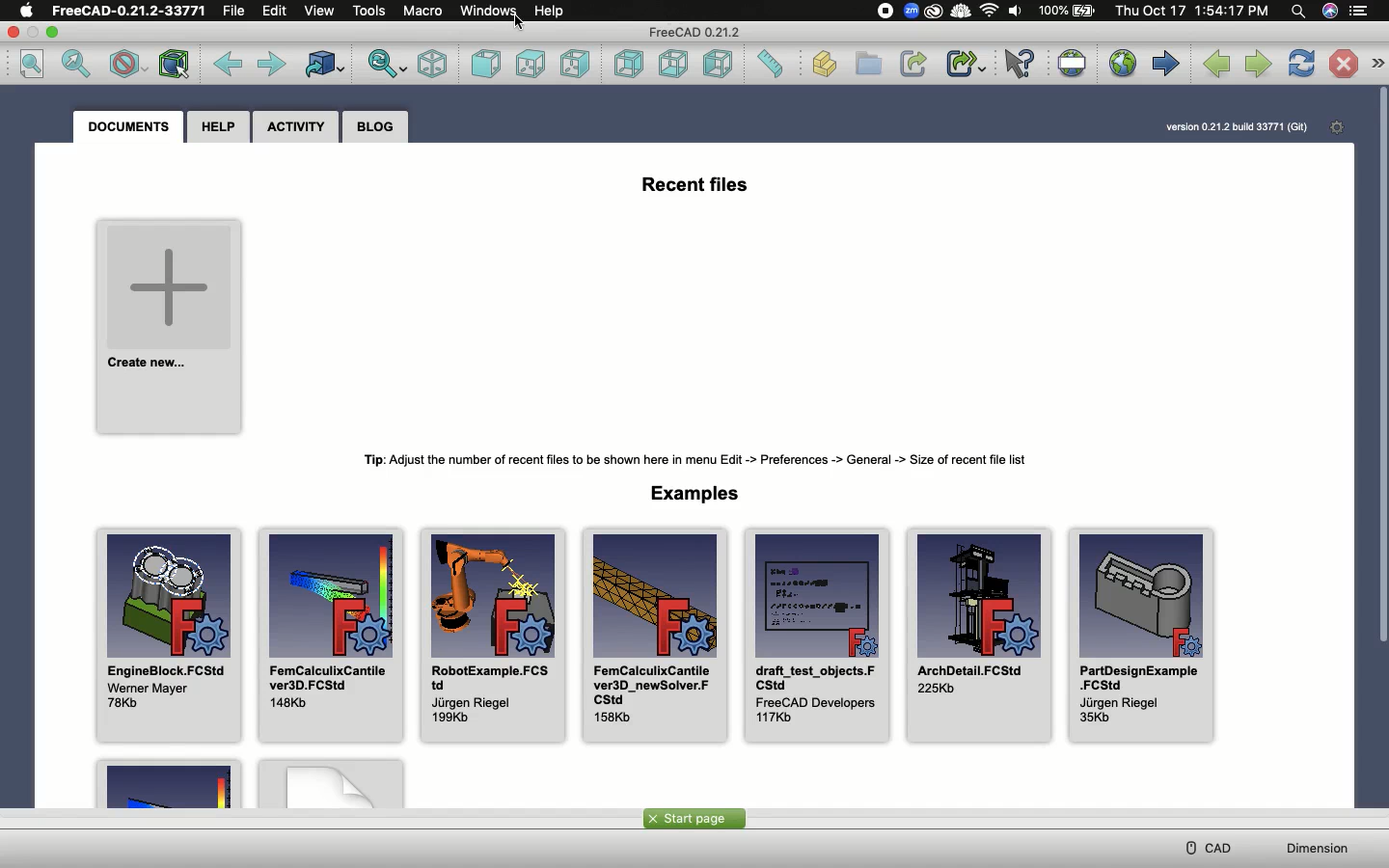 The width and height of the screenshot is (1389, 868). What do you see at coordinates (272, 66) in the screenshot?
I see `Forward` at bounding box center [272, 66].